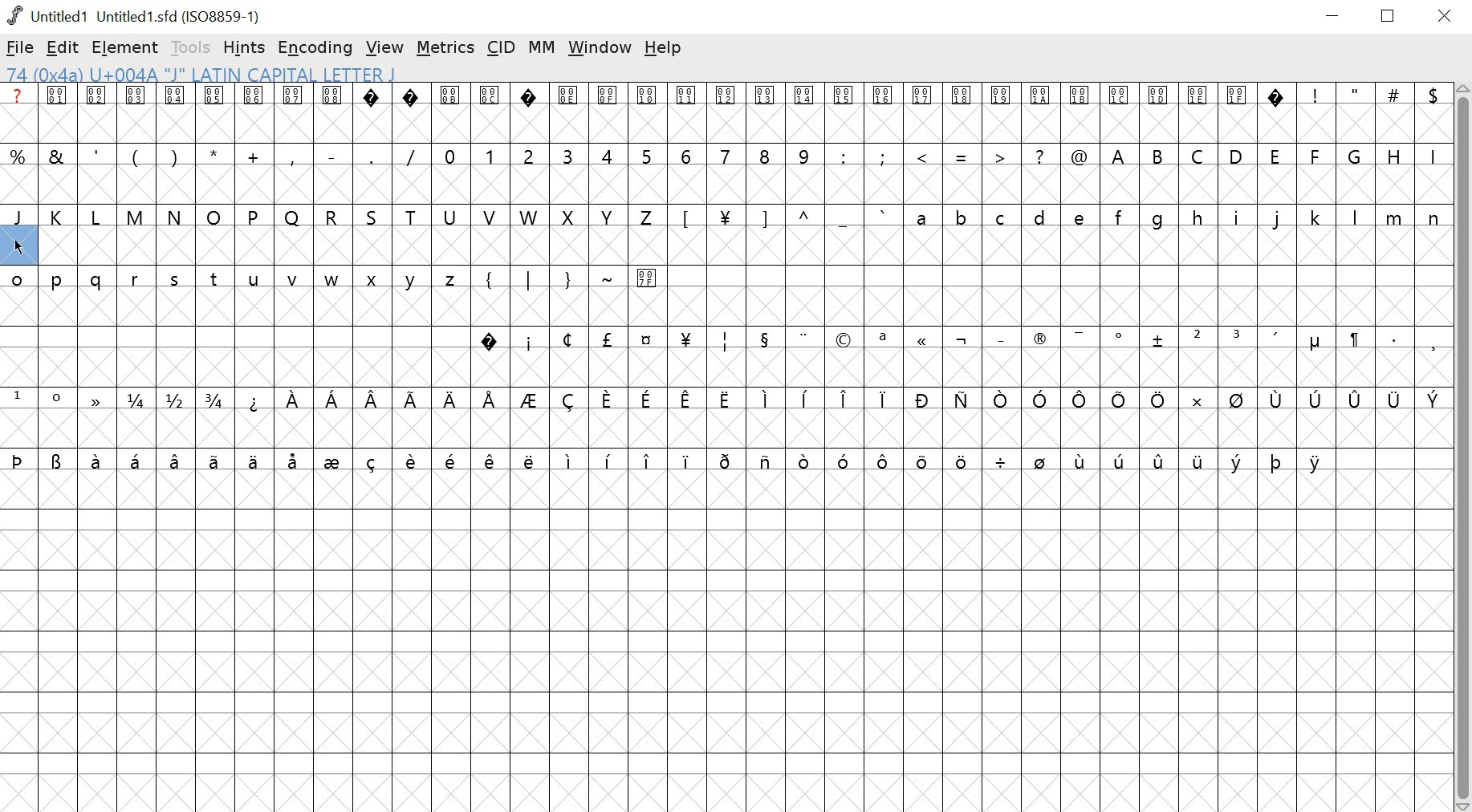 This screenshot has width=1472, height=812. Describe the element at coordinates (93, 398) in the screenshot. I see `symbol` at that location.